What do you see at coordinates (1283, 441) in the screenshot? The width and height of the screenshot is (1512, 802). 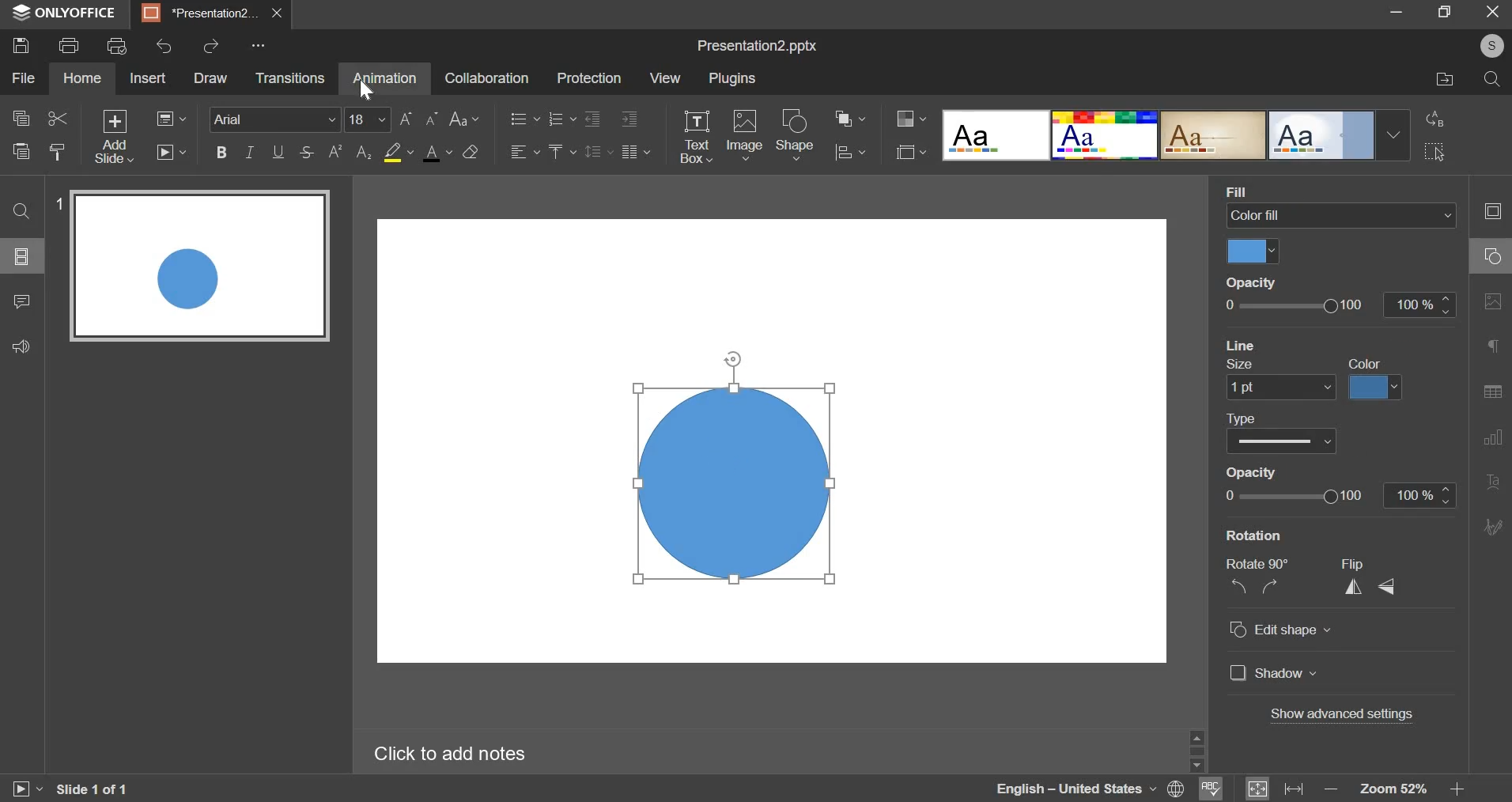 I see `line type` at bounding box center [1283, 441].